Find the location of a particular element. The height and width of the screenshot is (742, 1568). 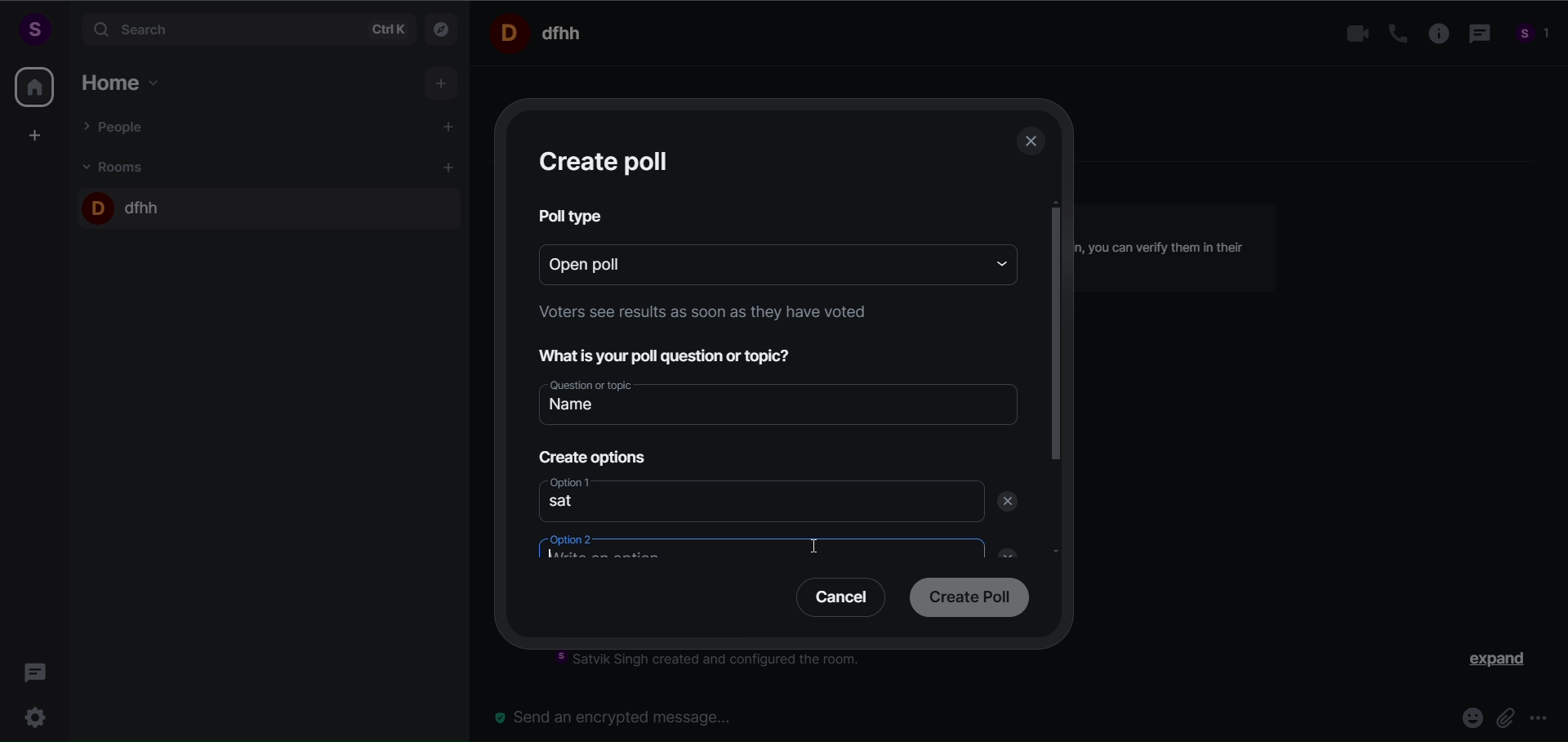

attachment is located at coordinates (1507, 717).